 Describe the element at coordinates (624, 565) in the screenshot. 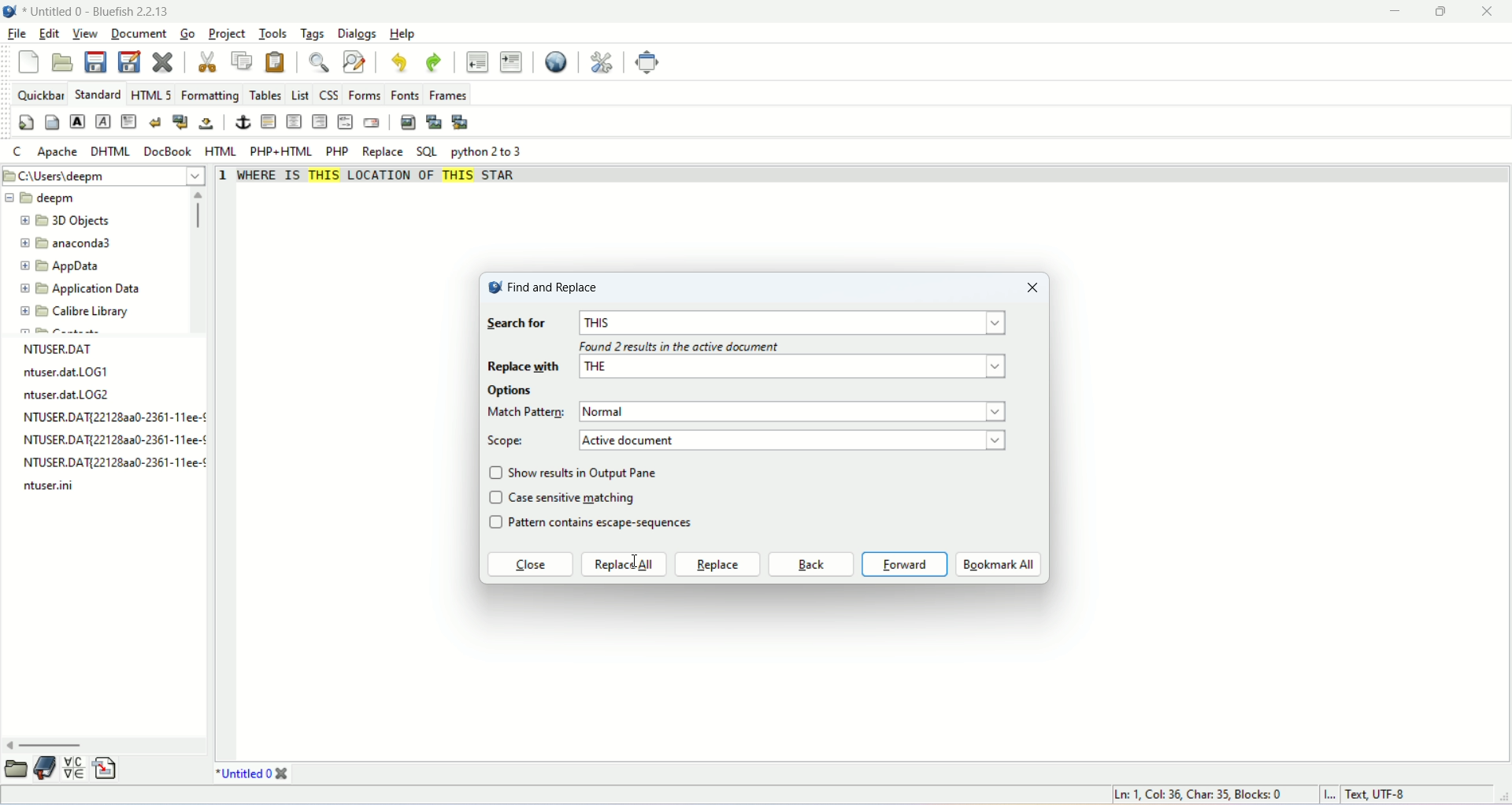

I see `replace all` at that location.